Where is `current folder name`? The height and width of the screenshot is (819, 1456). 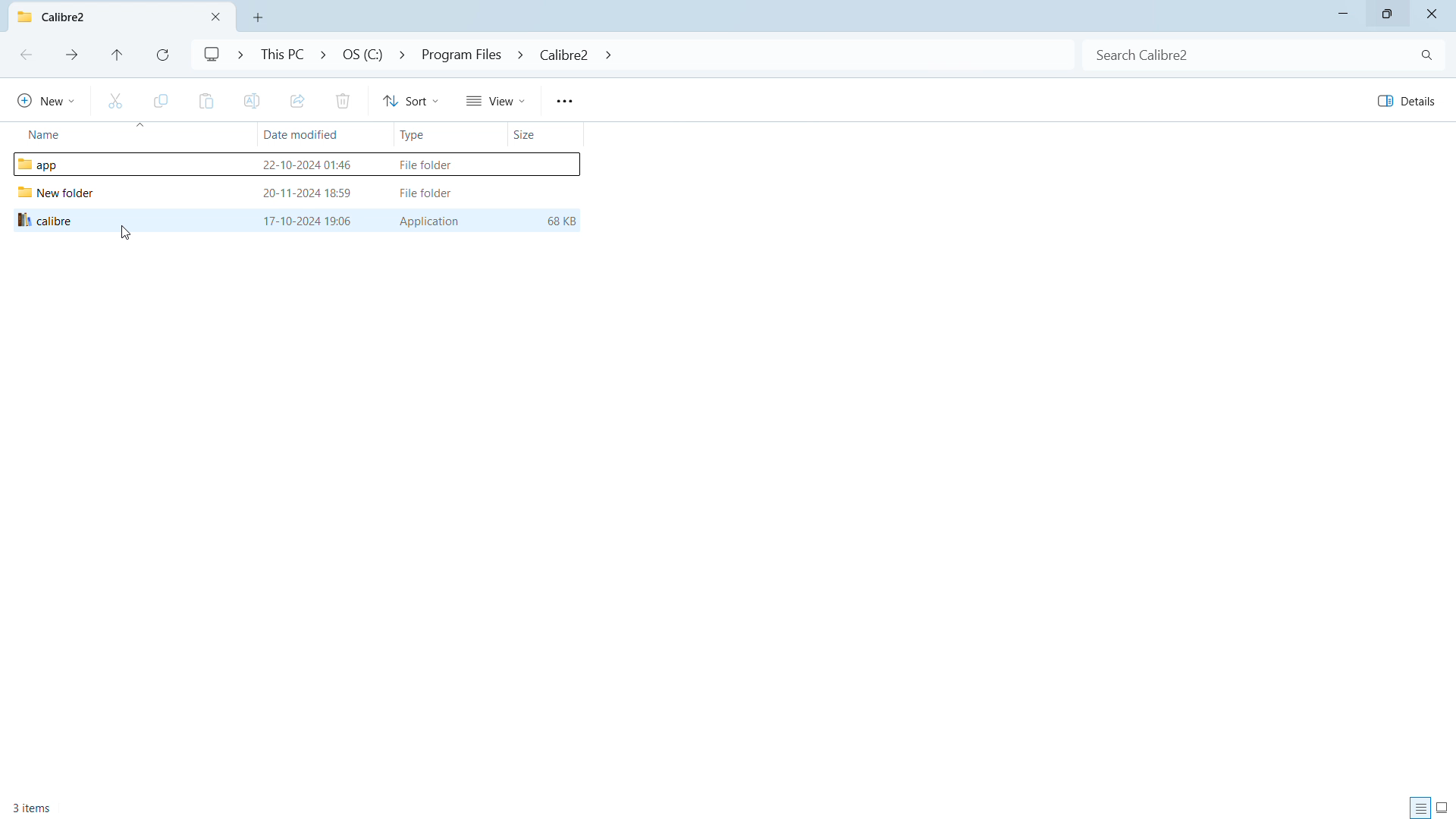
current folder name is located at coordinates (63, 17).